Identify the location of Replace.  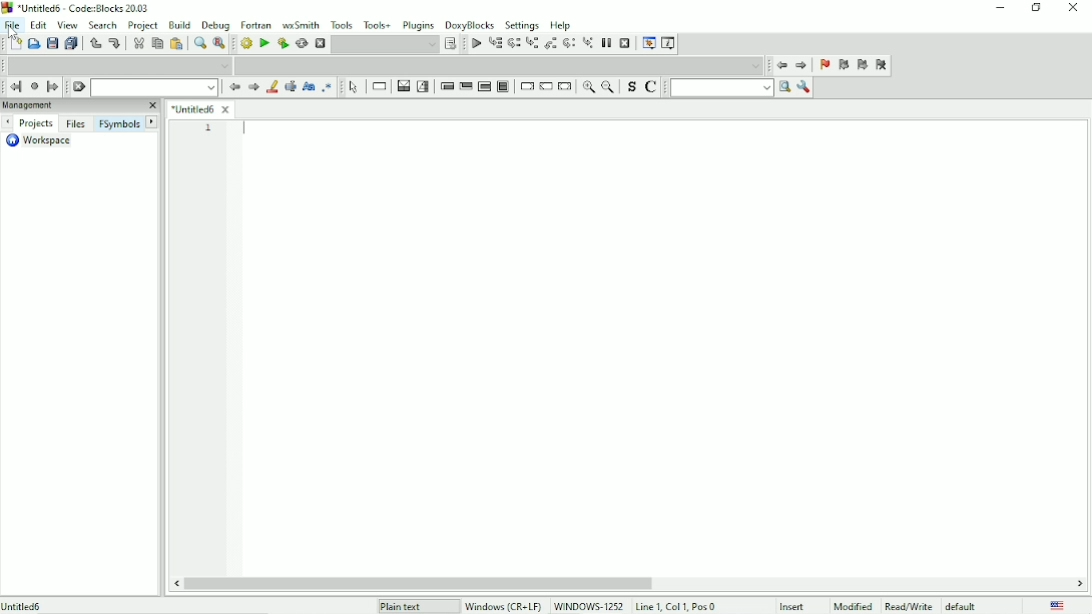
(219, 45).